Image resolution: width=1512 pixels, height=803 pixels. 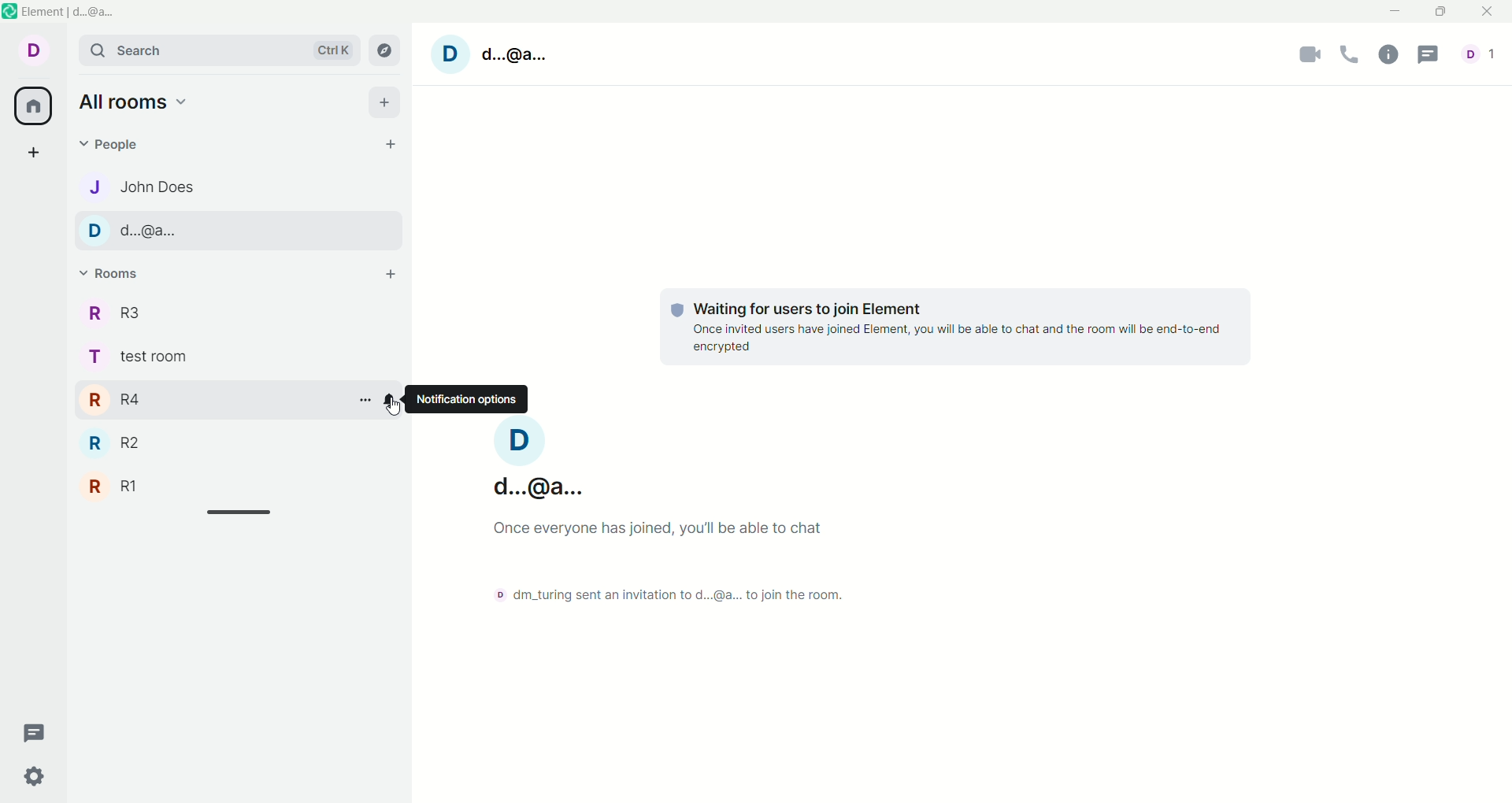 I want to click on explore room, so click(x=388, y=50).